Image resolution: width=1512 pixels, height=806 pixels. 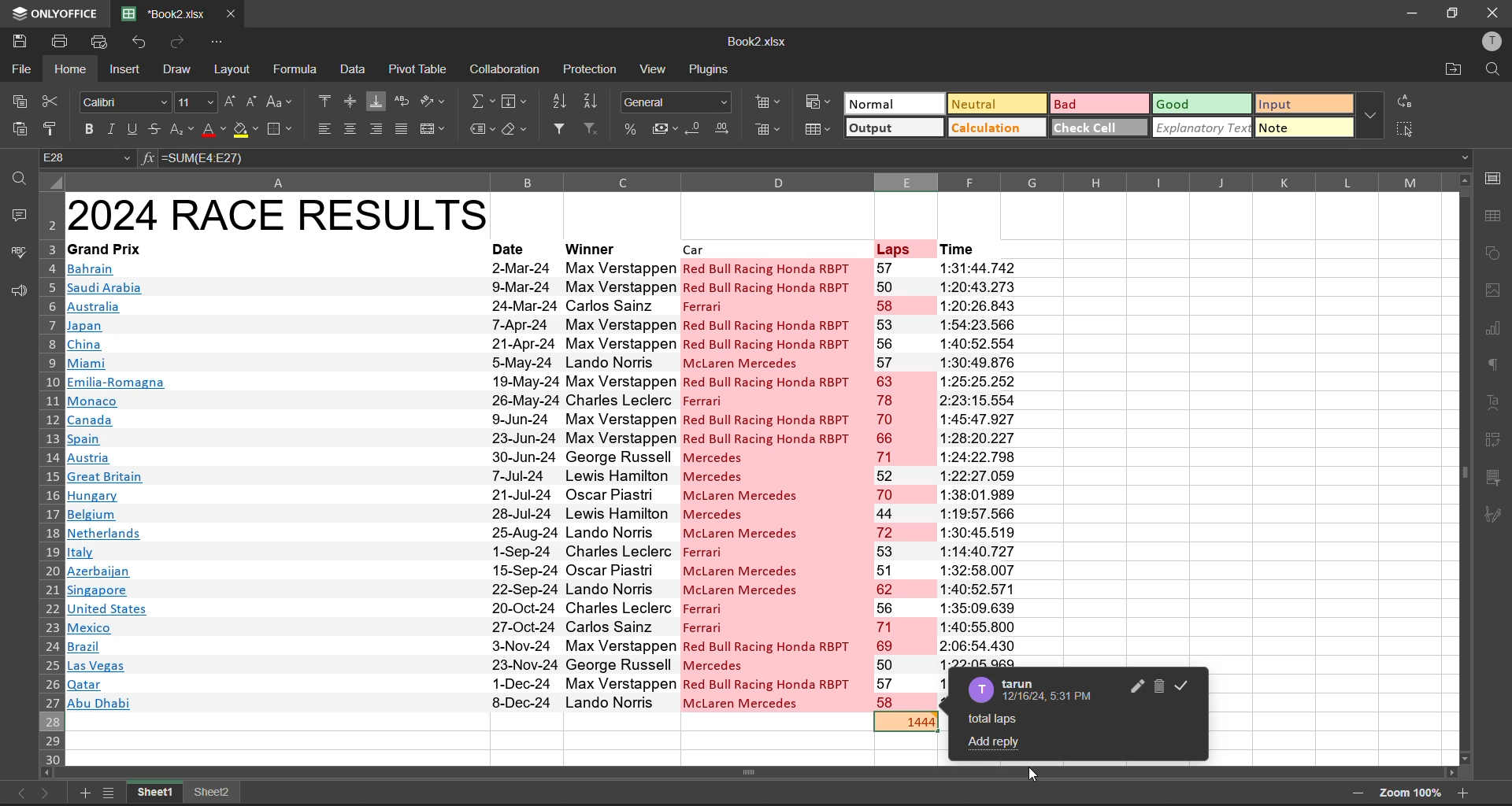 What do you see at coordinates (157, 130) in the screenshot?
I see `strikethrough` at bounding box center [157, 130].